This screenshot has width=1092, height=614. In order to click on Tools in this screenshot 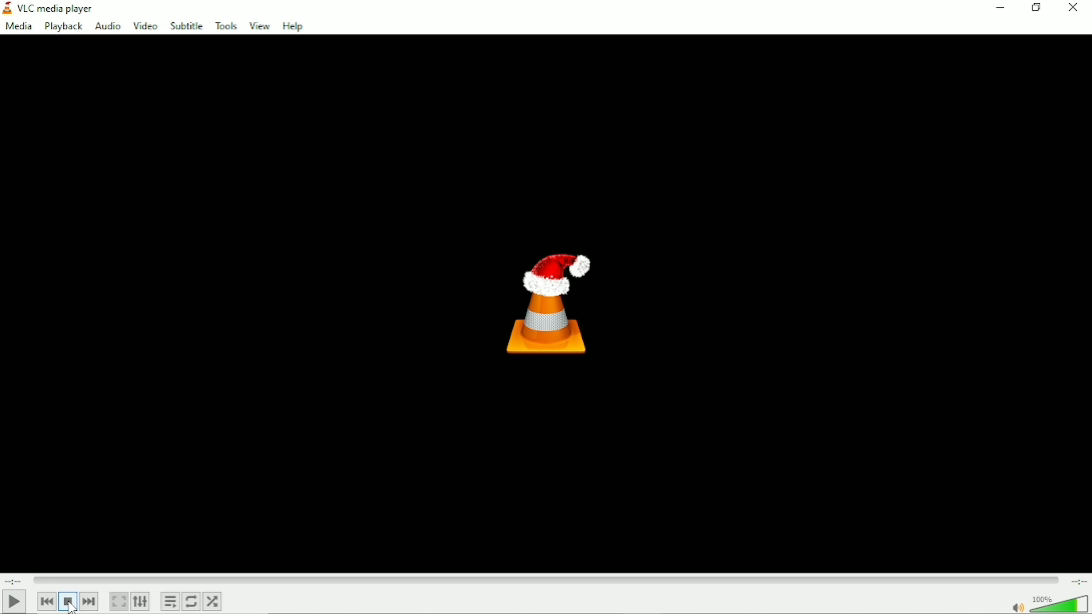, I will do `click(225, 26)`.